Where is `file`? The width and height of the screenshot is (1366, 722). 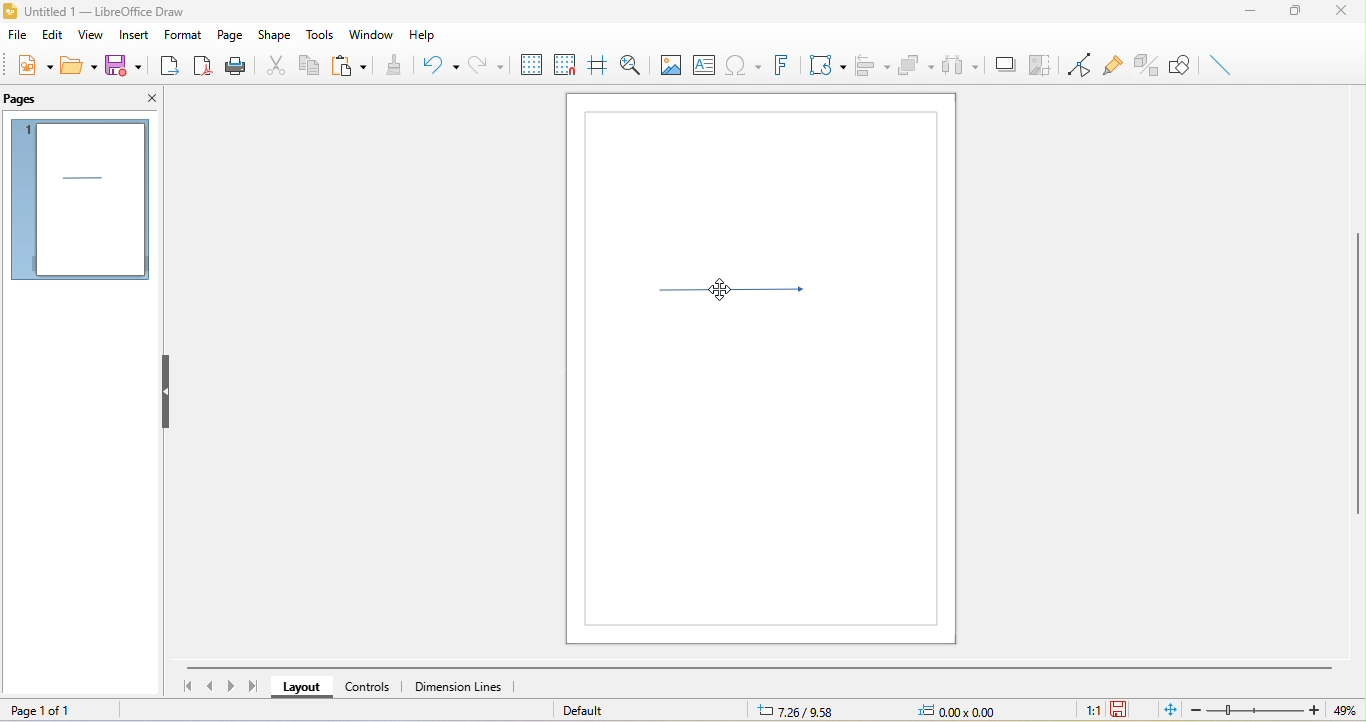
file is located at coordinates (19, 34).